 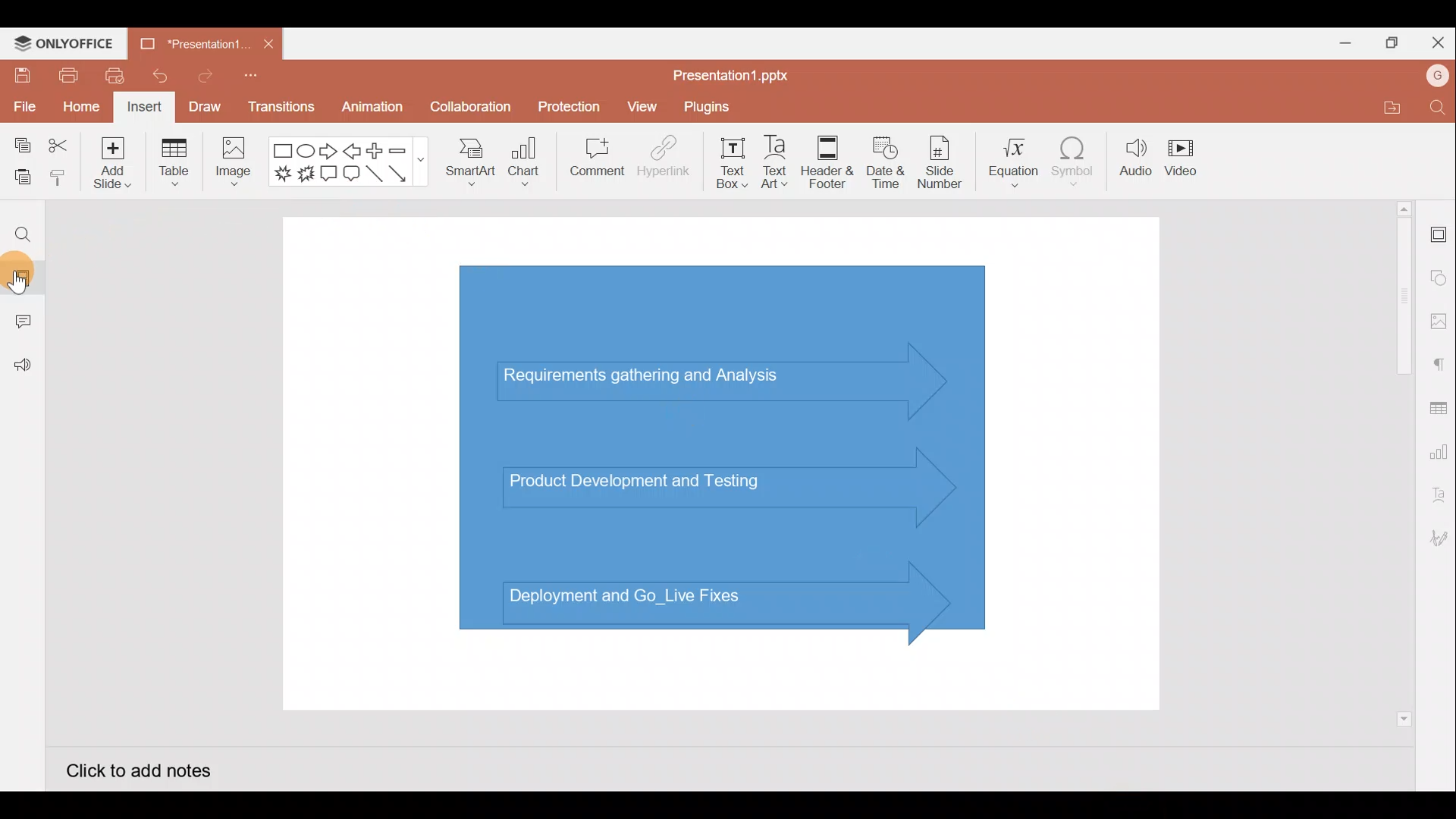 I want to click on Insert, so click(x=144, y=106).